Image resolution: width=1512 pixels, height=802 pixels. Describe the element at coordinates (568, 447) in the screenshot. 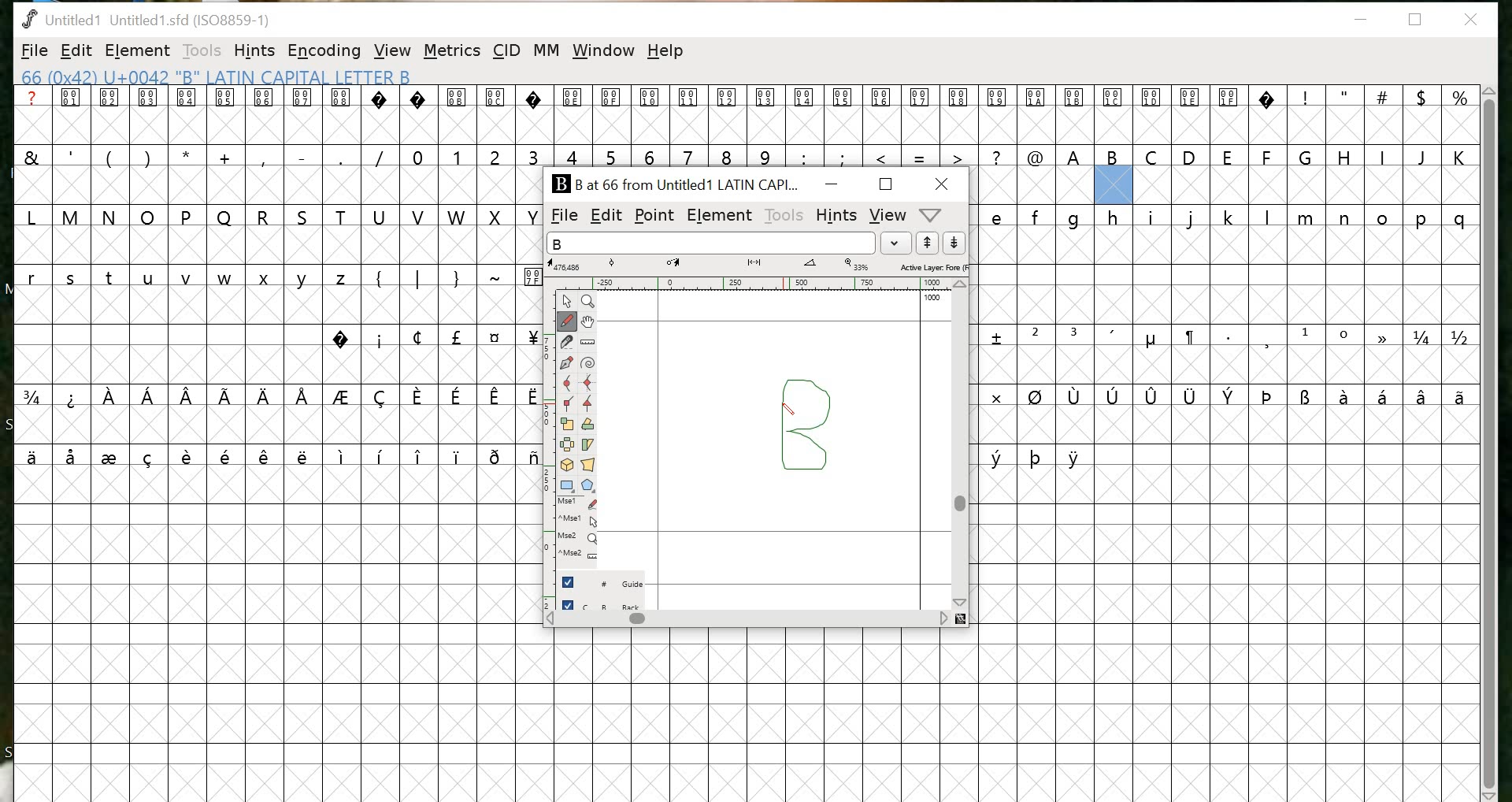

I see `Flip` at that location.